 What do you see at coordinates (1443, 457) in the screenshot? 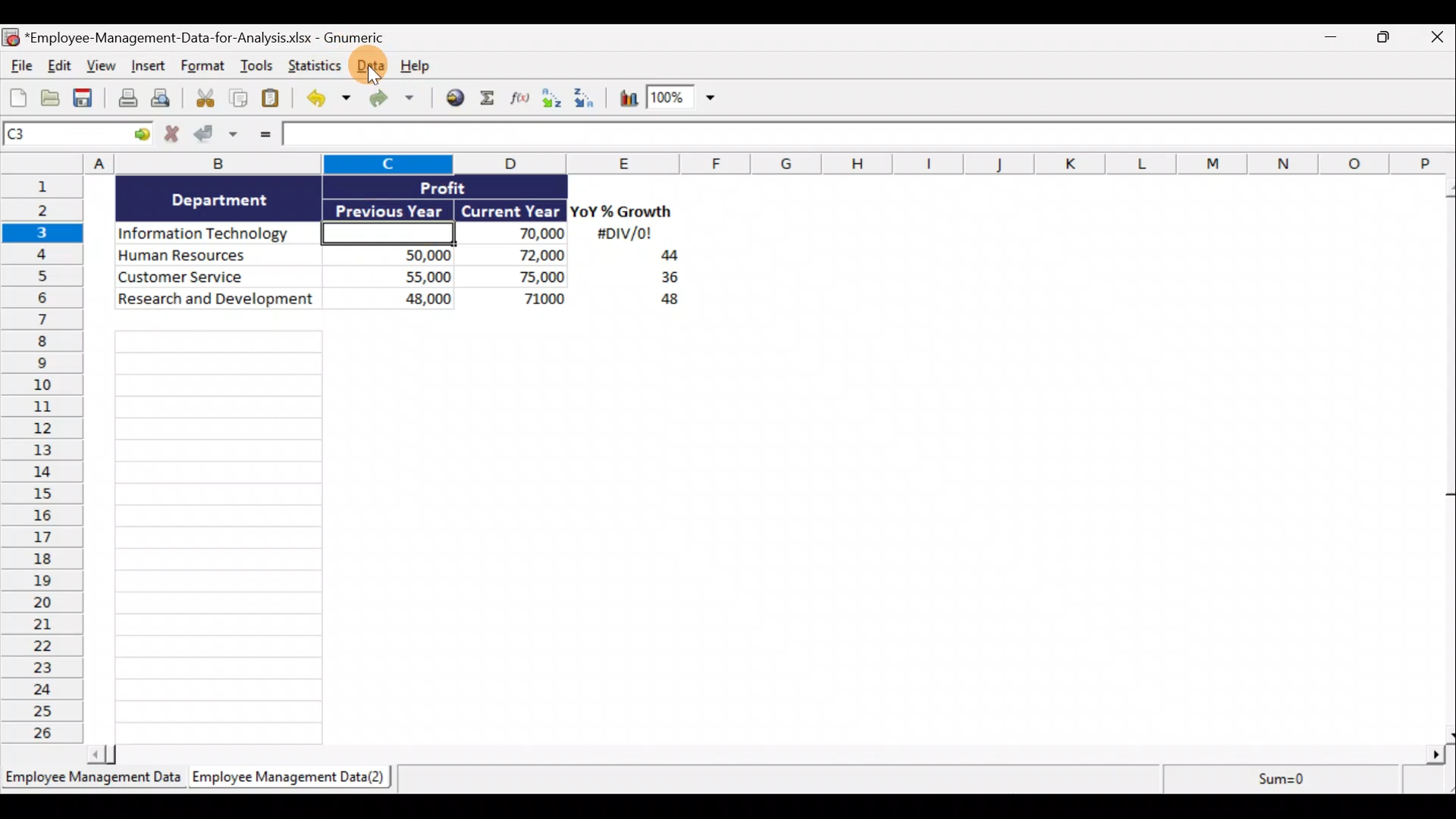
I see `Scroll bar` at bounding box center [1443, 457].